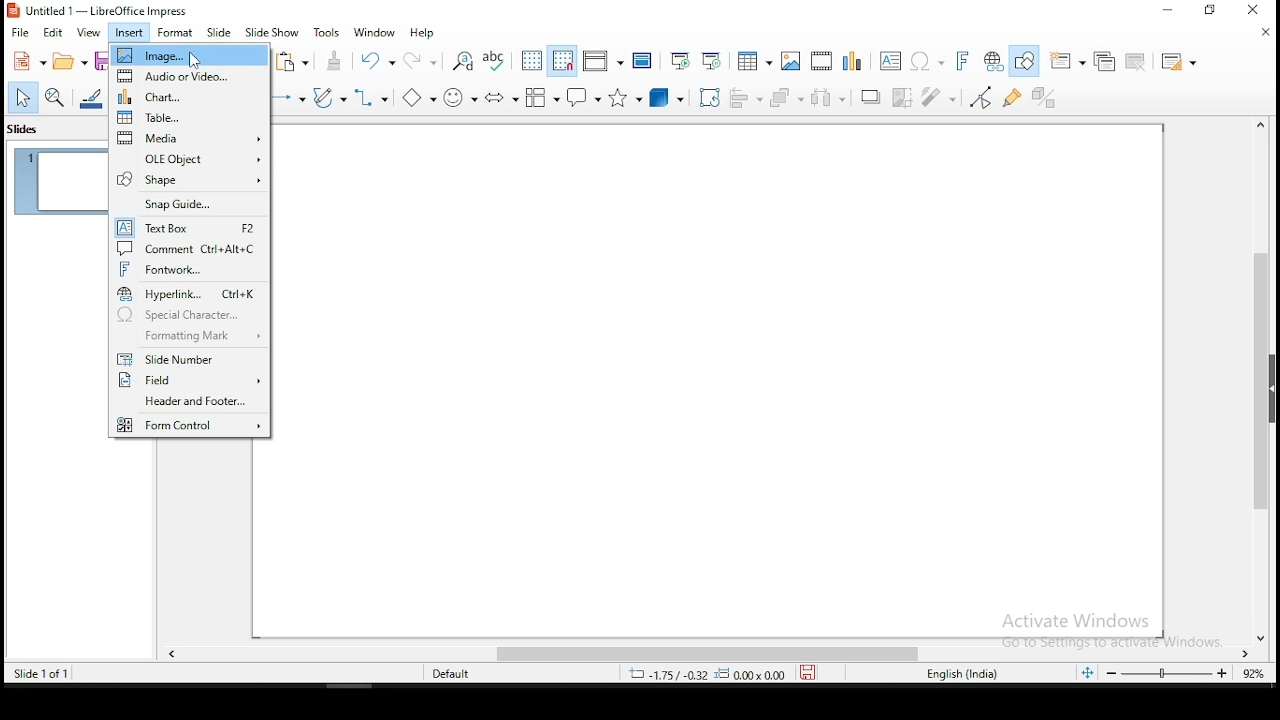 This screenshot has width=1280, height=720. Describe the element at coordinates (1254, 132) in the screenshot. I see `scroll up` at that location.